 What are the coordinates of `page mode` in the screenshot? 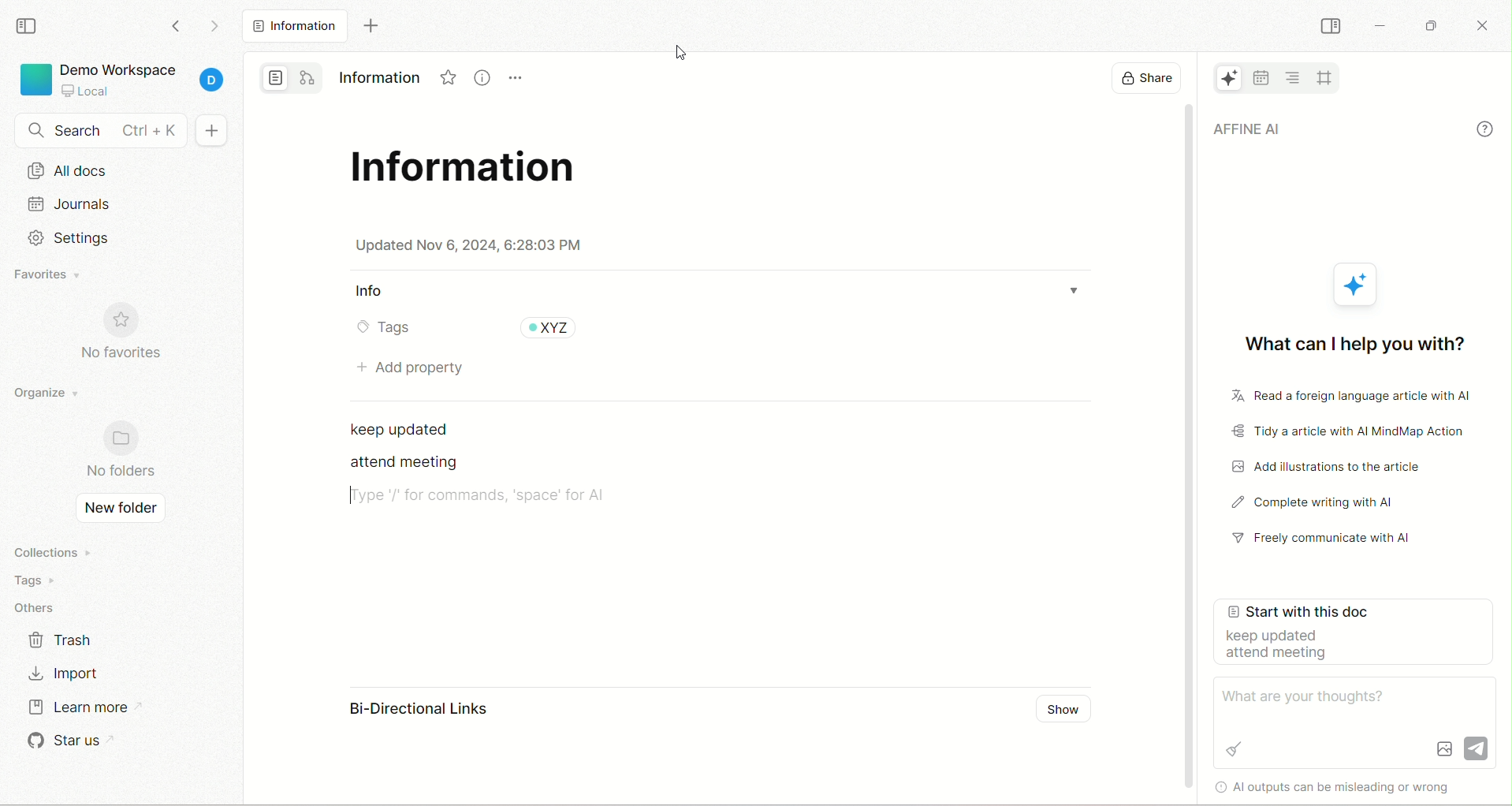 It's located at (274, 78).